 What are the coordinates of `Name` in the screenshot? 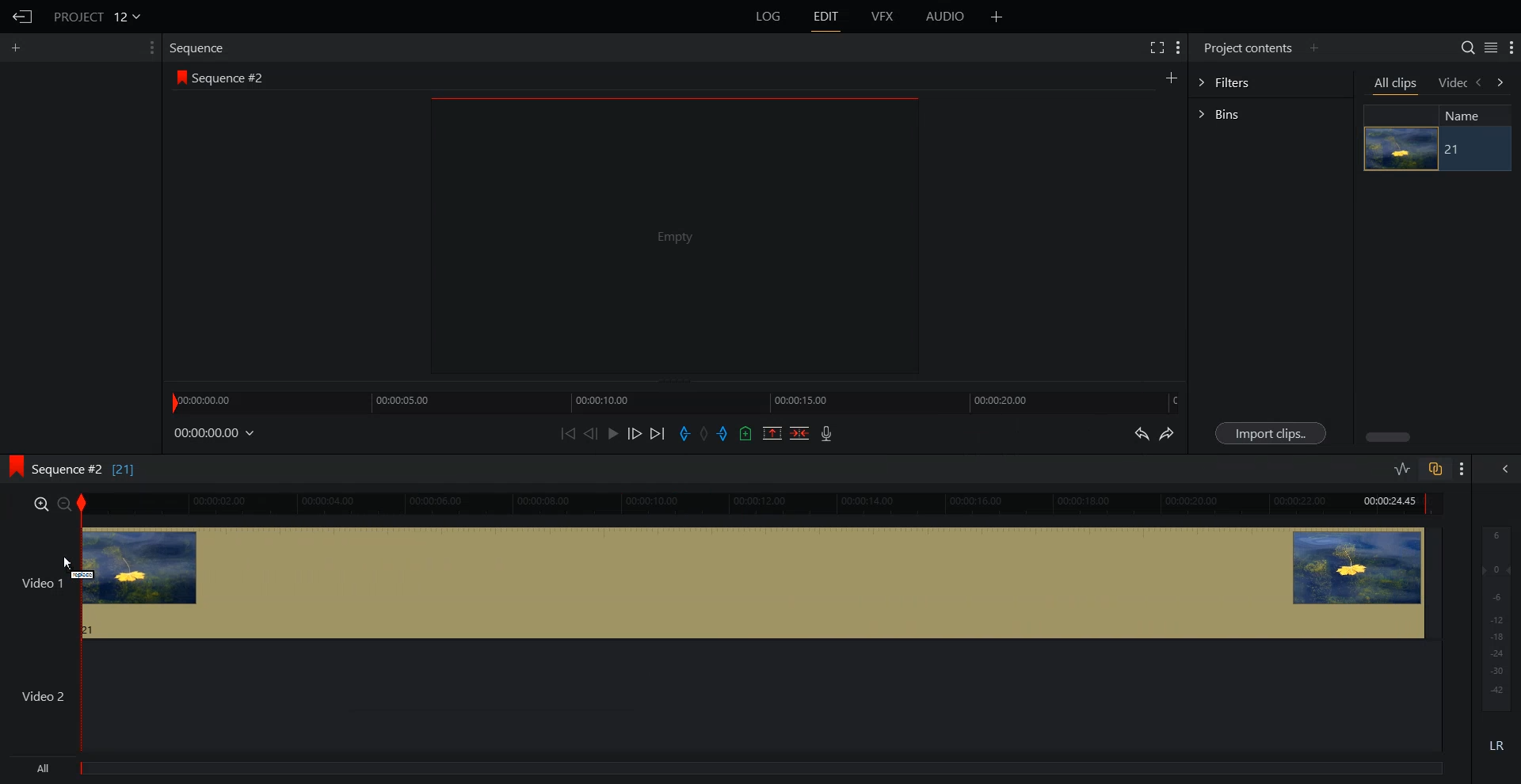 It's located at (1469, 116).